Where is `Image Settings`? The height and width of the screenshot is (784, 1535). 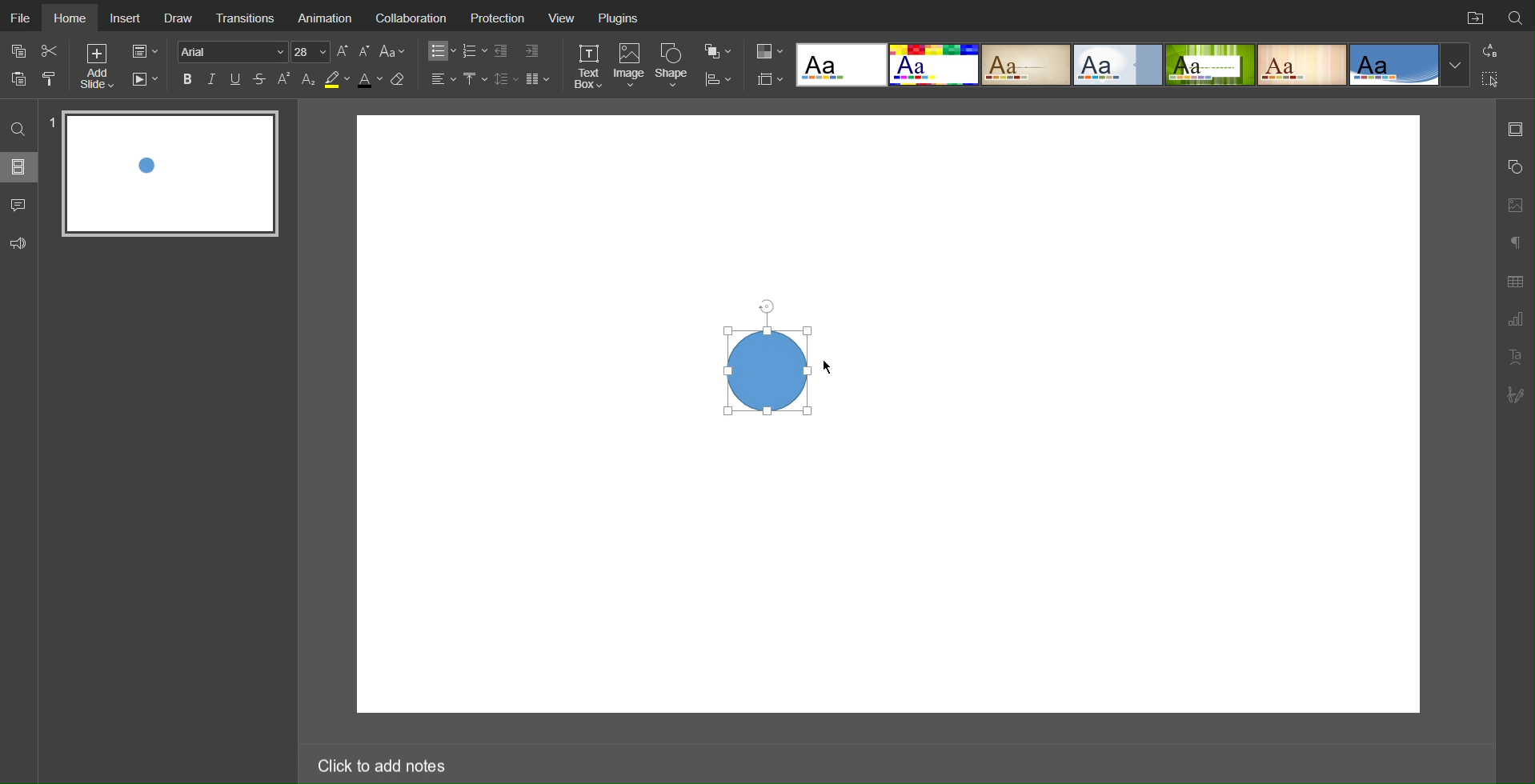
Image Settings is located at coordinates (1514, 203).